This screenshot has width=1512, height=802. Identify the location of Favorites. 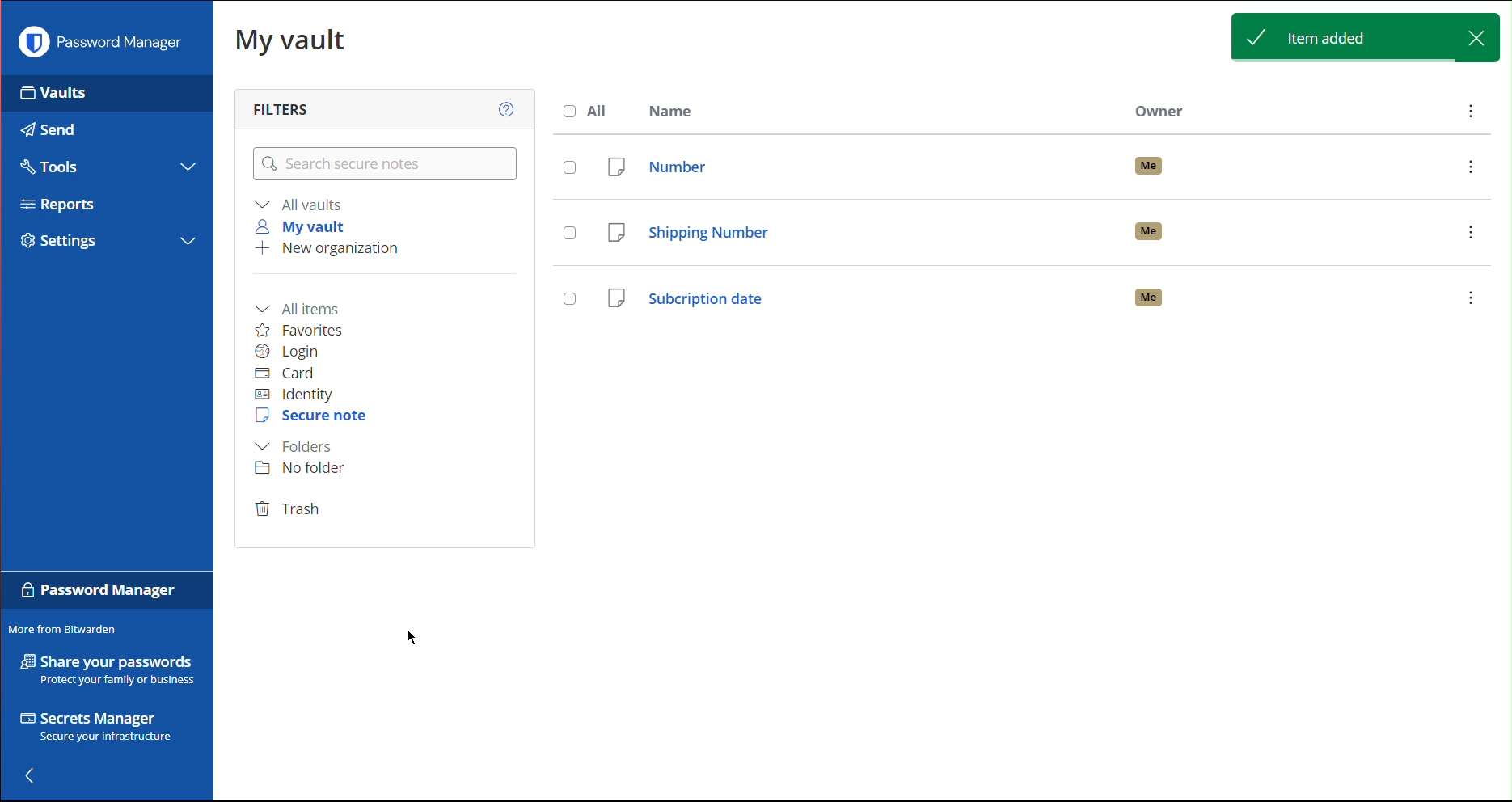
(310, 329).